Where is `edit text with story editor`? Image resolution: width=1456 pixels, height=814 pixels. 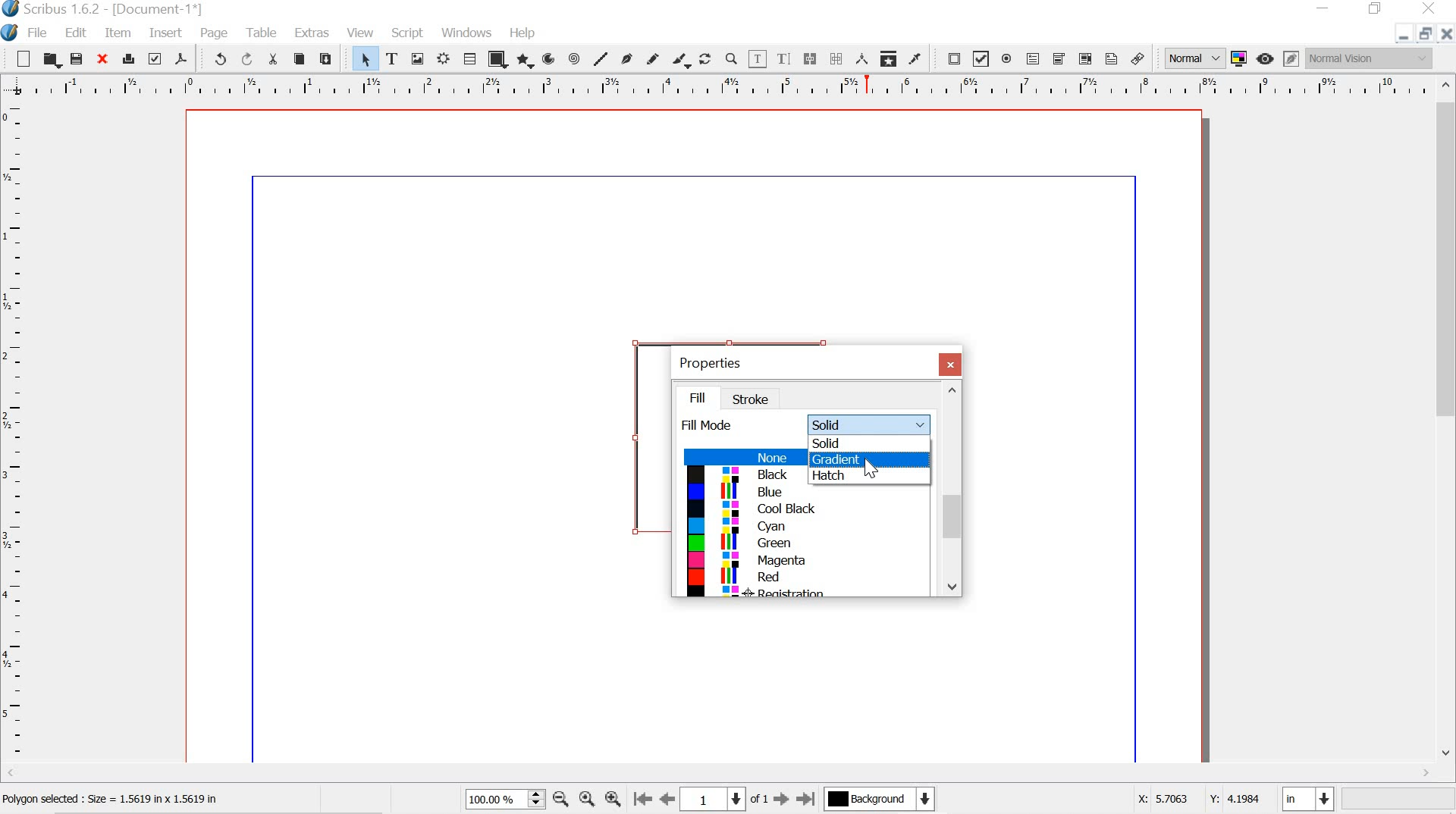
edit text with story editor is located at coordinates (786, 59).